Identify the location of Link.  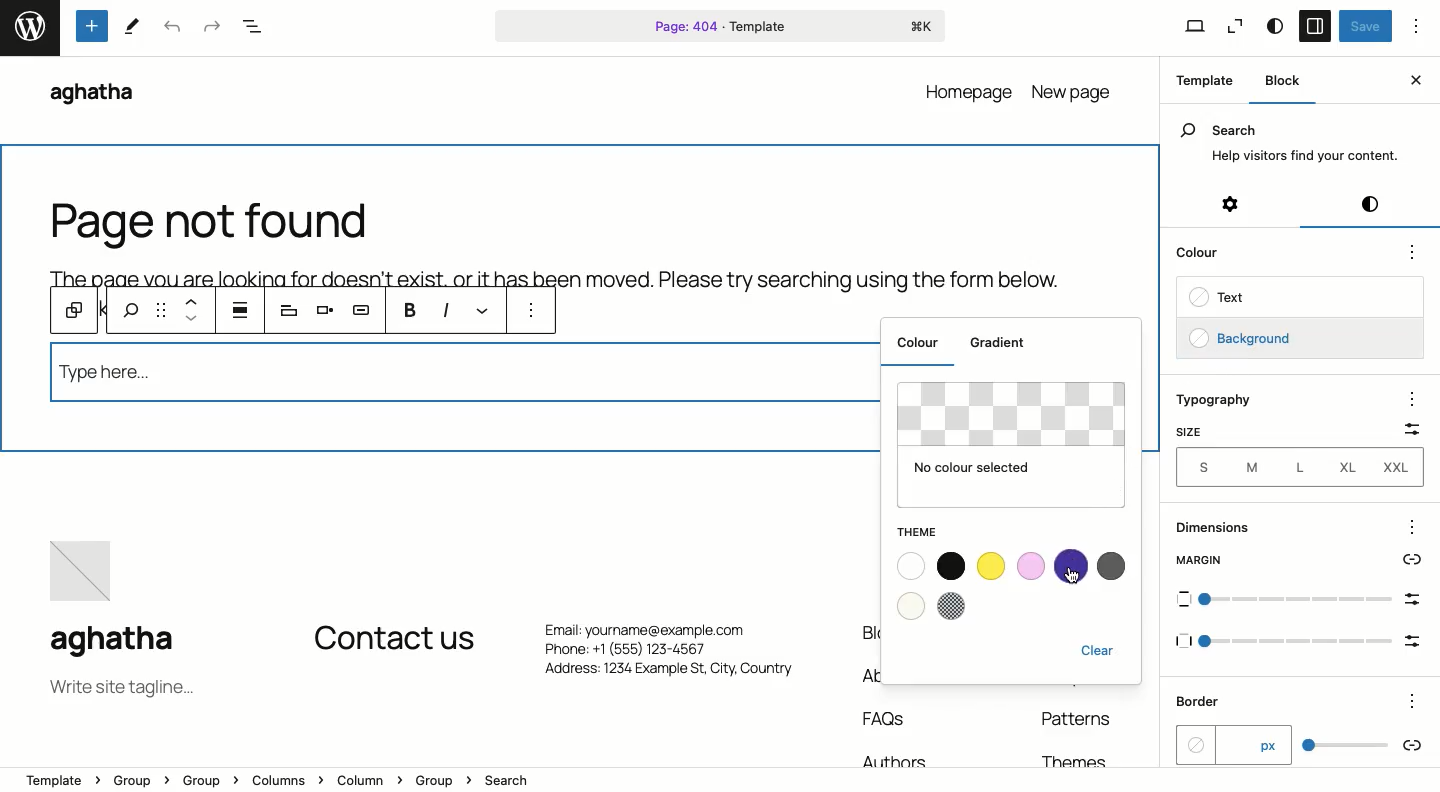
(486, 310).